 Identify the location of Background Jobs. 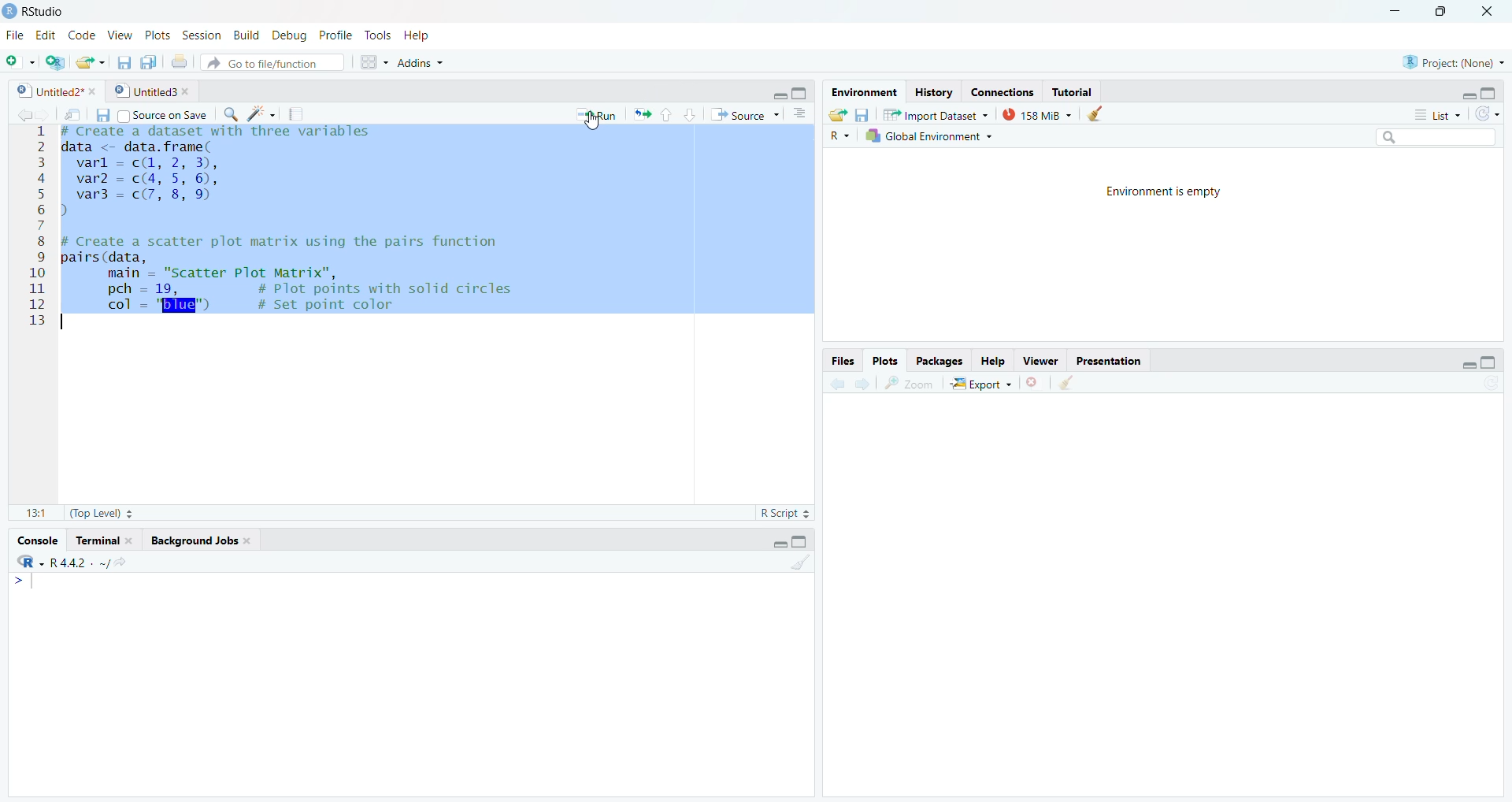
(209, 539).